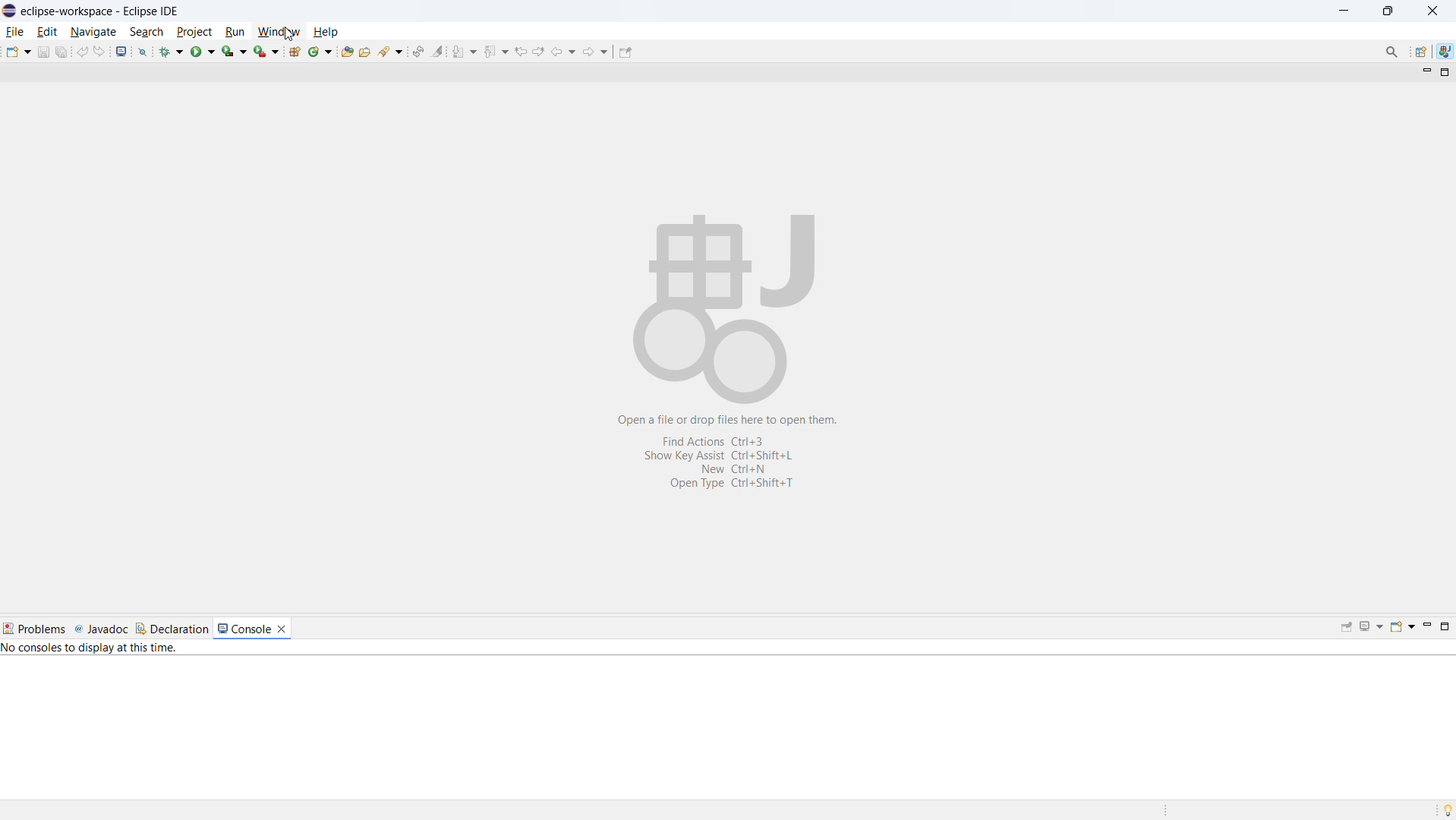  Describe the element at coordinates (626, 52) in the screenshot. I see `pin editor` at that location.